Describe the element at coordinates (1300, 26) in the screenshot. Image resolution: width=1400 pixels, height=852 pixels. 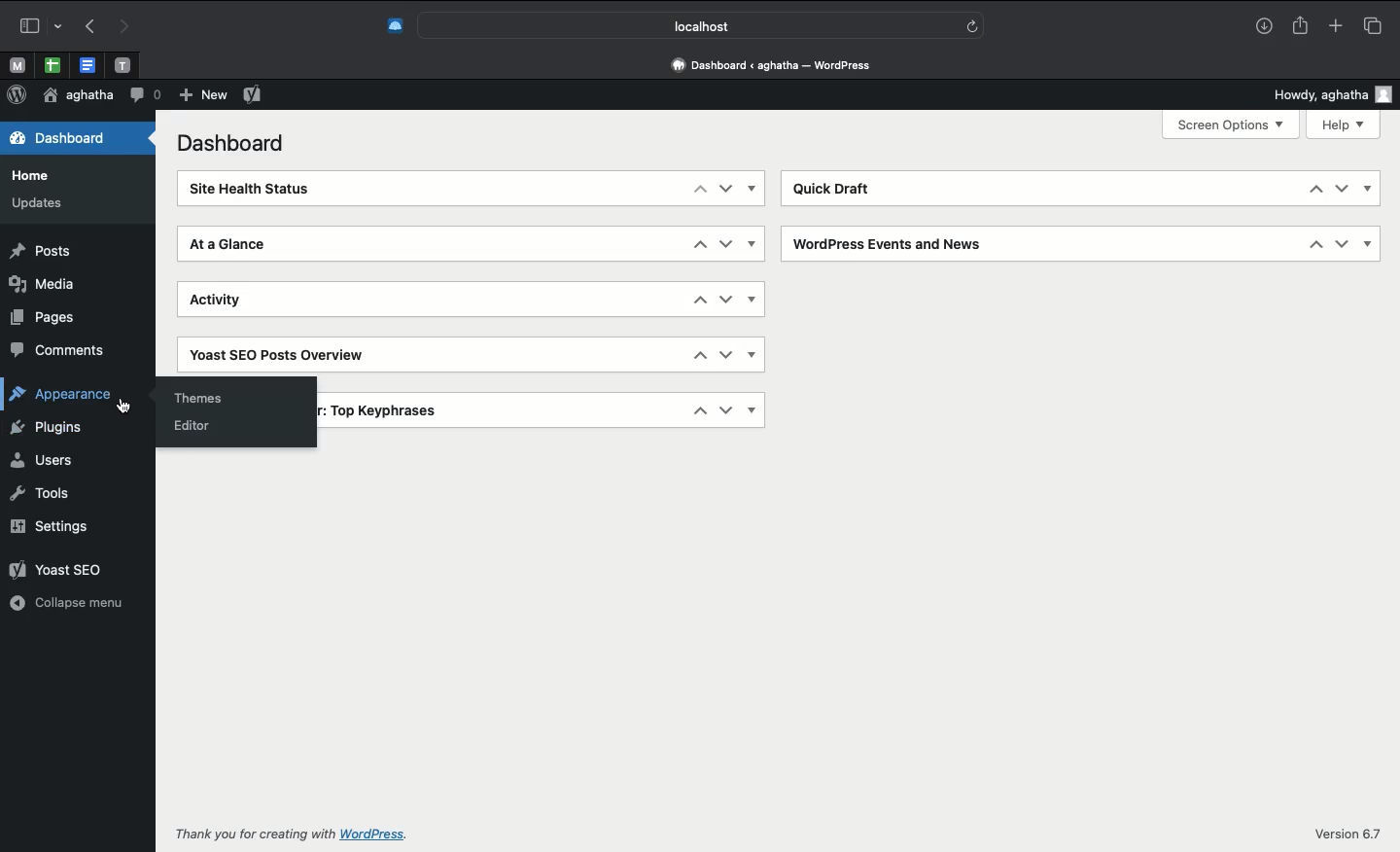
I see `Share` at that location.